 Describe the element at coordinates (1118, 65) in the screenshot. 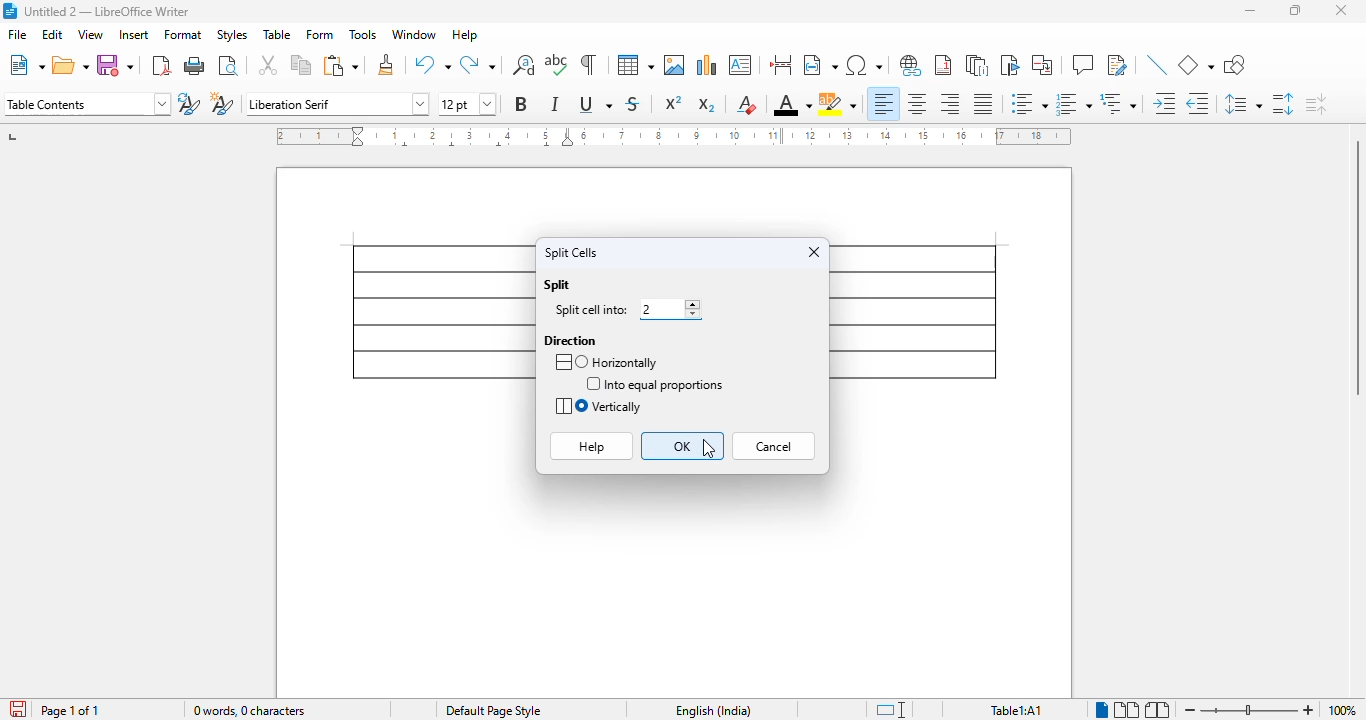

I see `show track changes functions` at that location.